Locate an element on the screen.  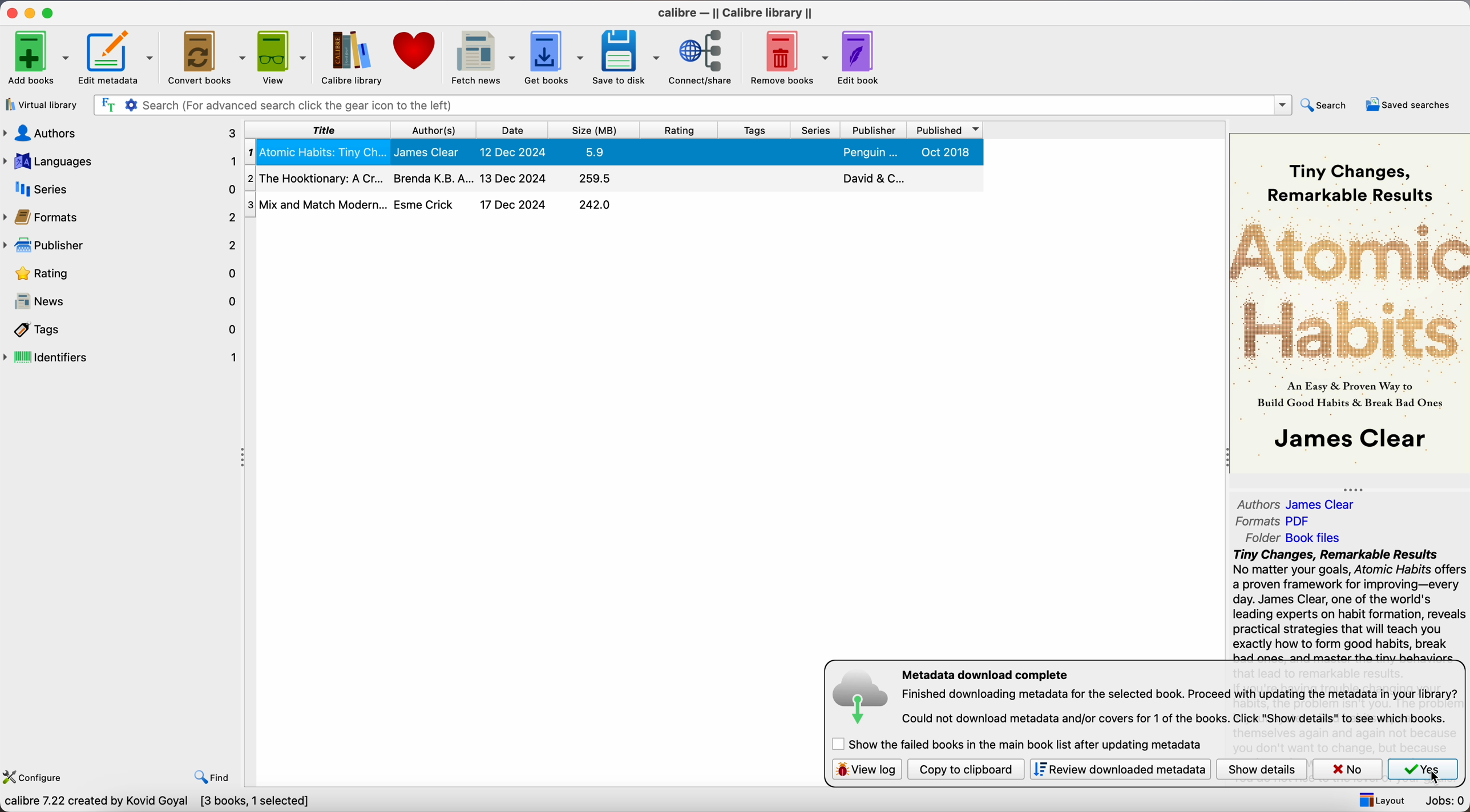
maximize app is located at coordinates (50, 13).